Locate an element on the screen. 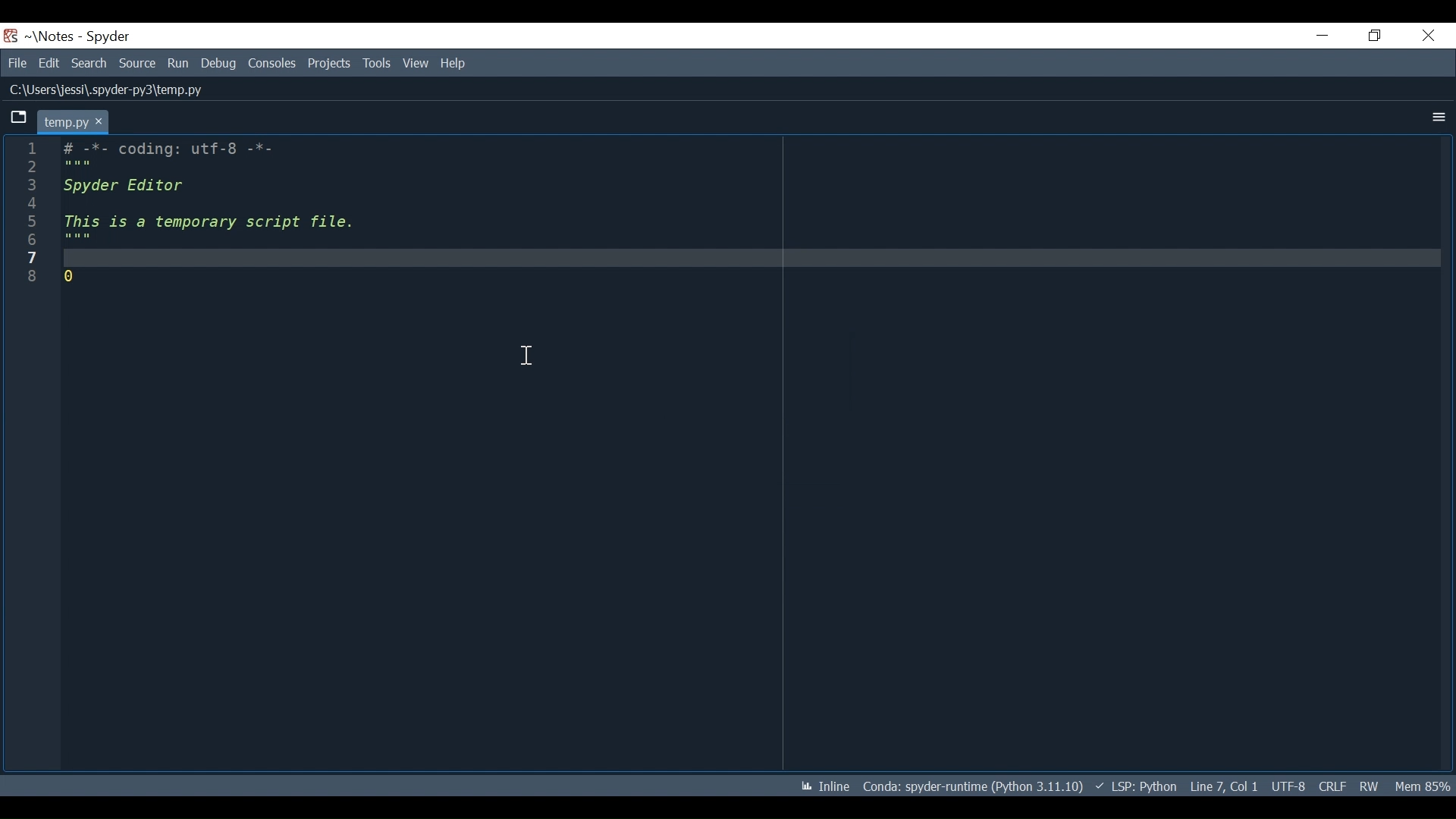 The width and height of the screenshot is (1456, 819). Inline is located at coordinates (825, 786).